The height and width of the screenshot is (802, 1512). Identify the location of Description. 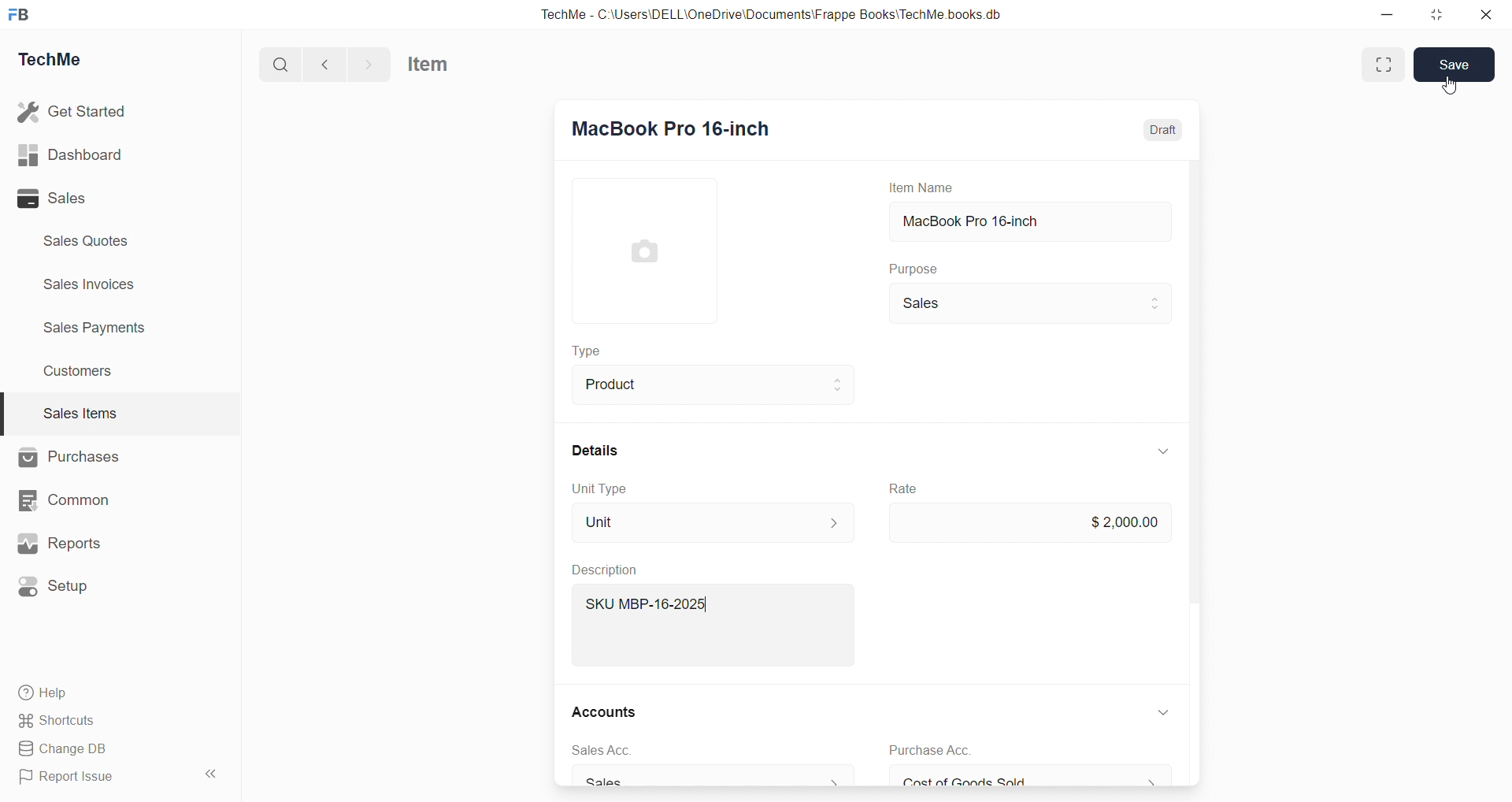
(608, 570).